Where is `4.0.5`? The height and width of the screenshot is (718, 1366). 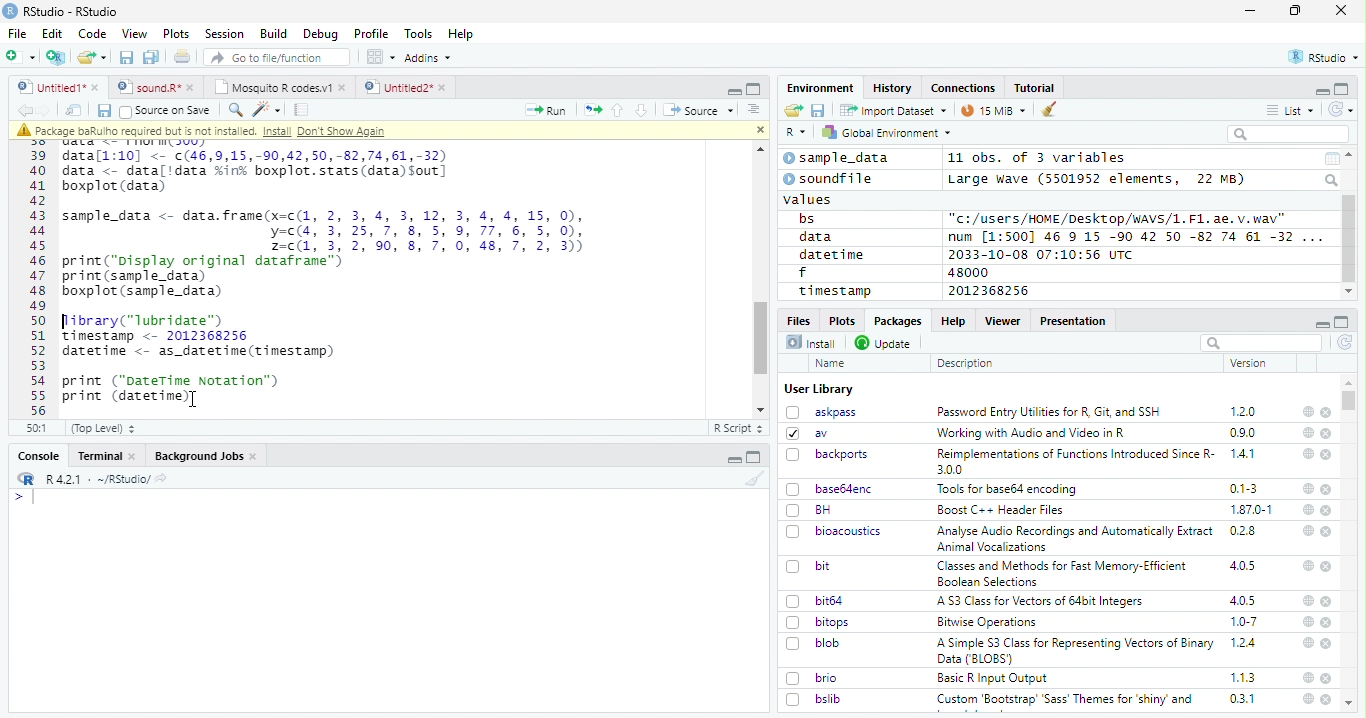
4.0.5 is located at coordinates (1242, 566).